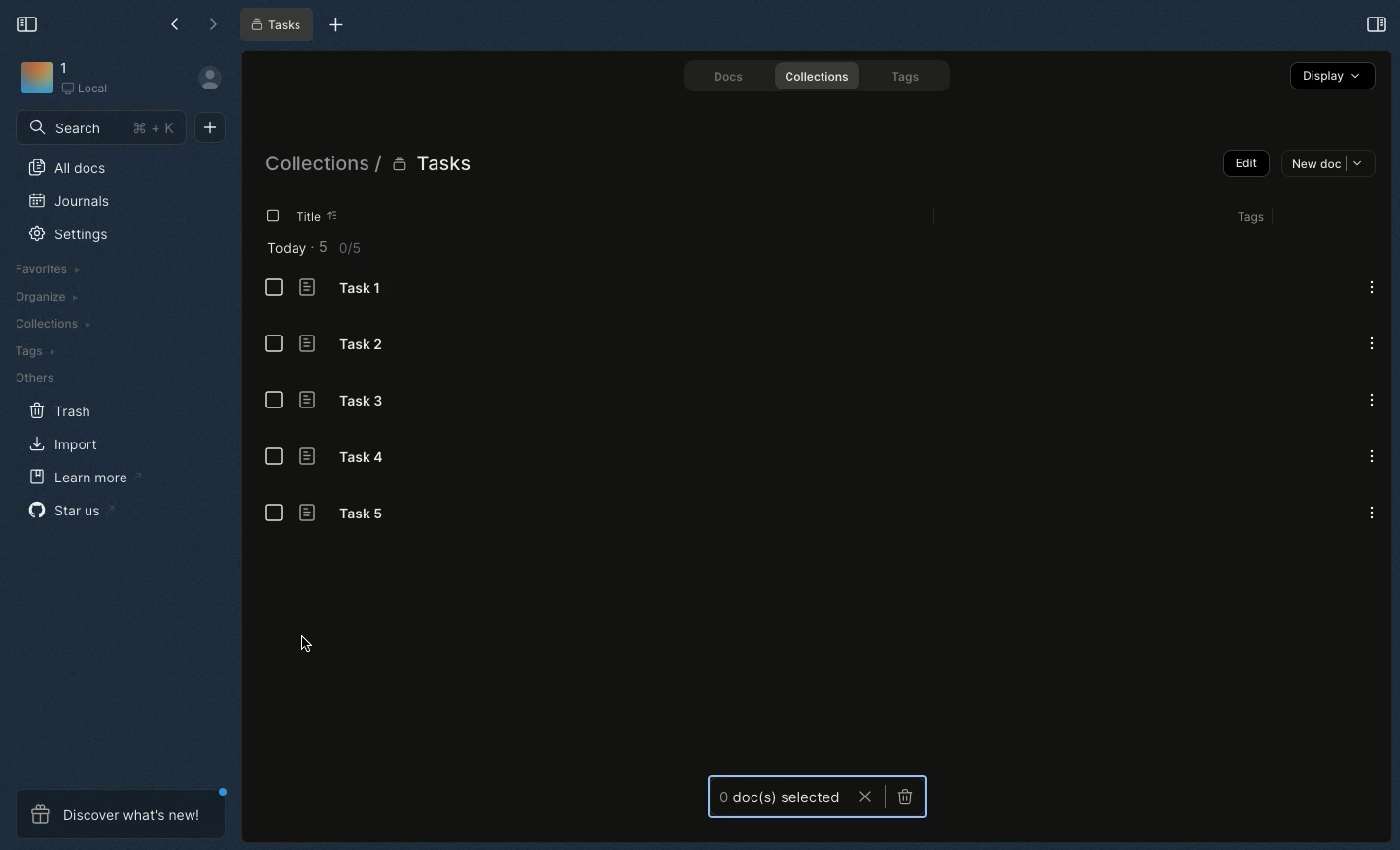 The image size is (1400, 850). Describe the element at coordinates (820, 77) in the screenshot. I see `Collections` at that location.